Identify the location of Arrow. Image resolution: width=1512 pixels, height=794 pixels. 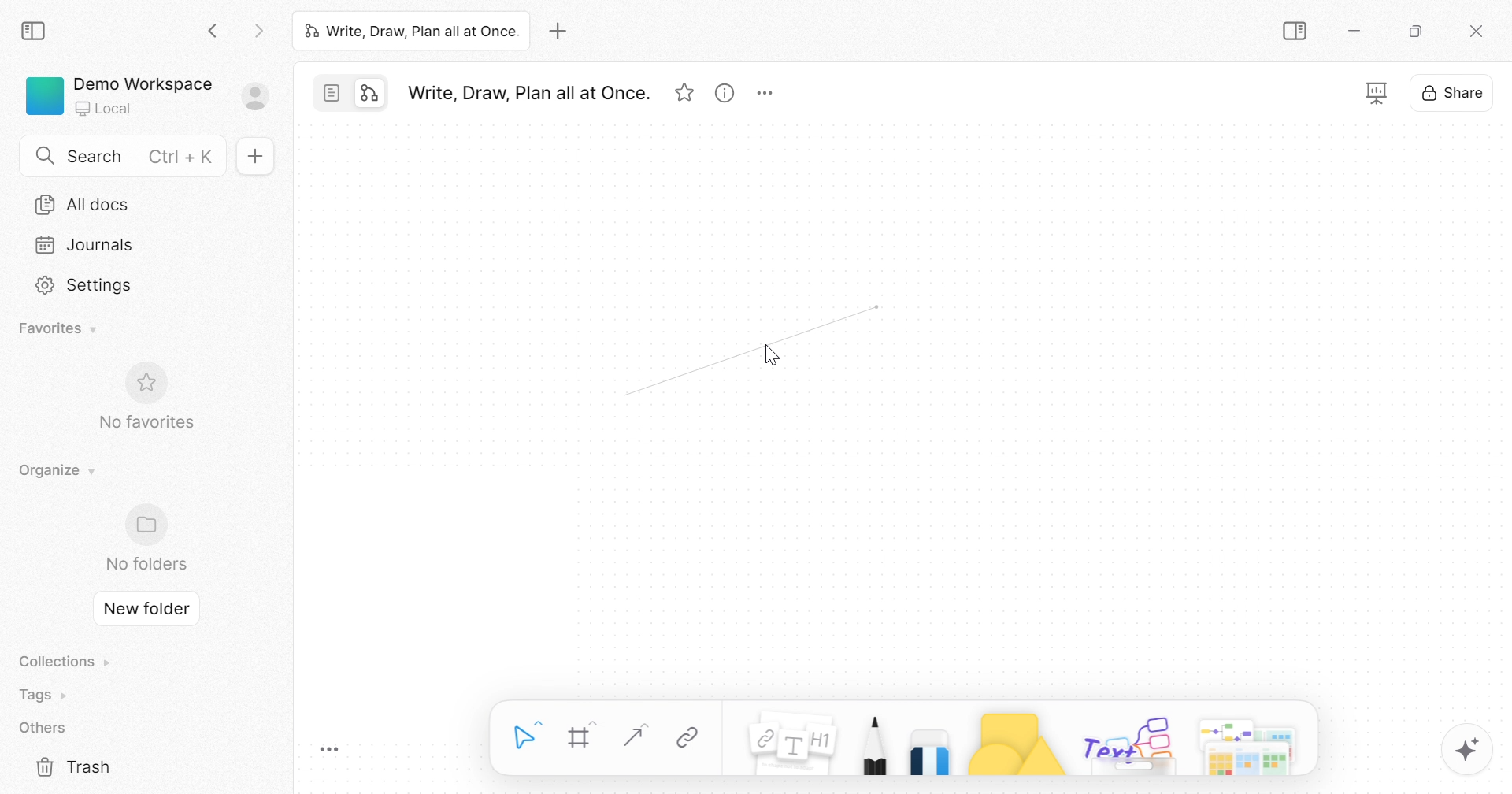
(754, 347).